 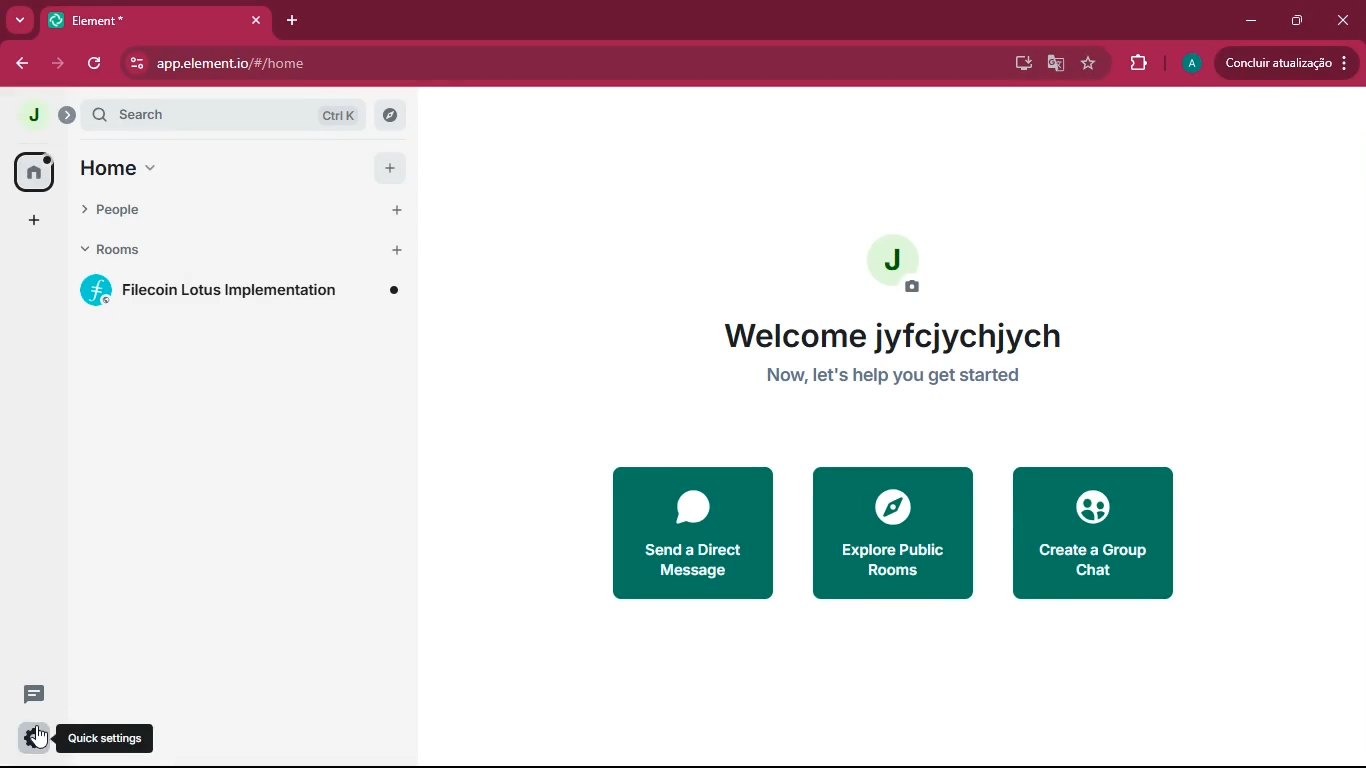 I want to click on extensions, so click(x=1136, y=63).